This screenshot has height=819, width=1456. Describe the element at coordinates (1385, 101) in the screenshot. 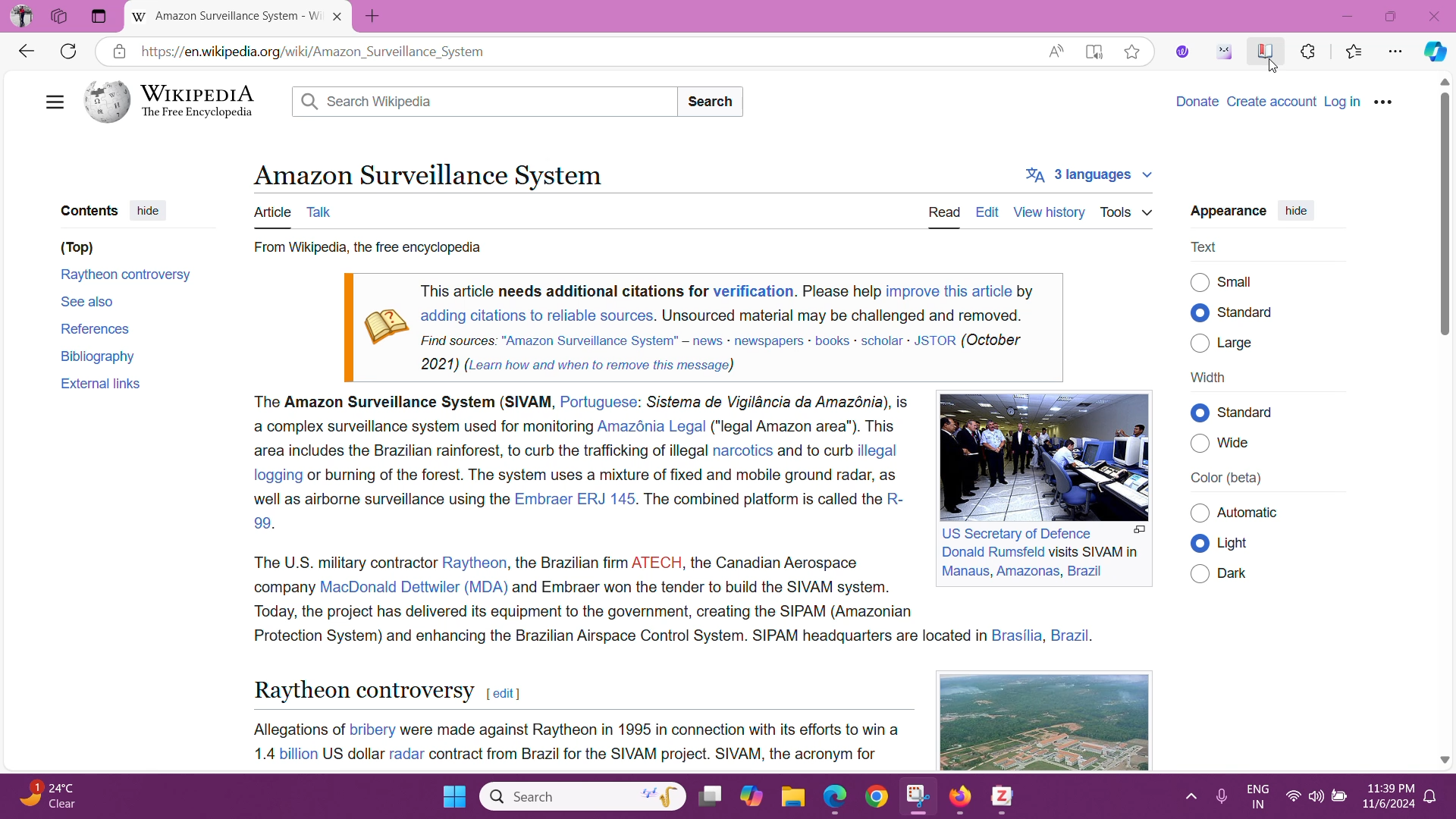

I see `Menu` at that location.